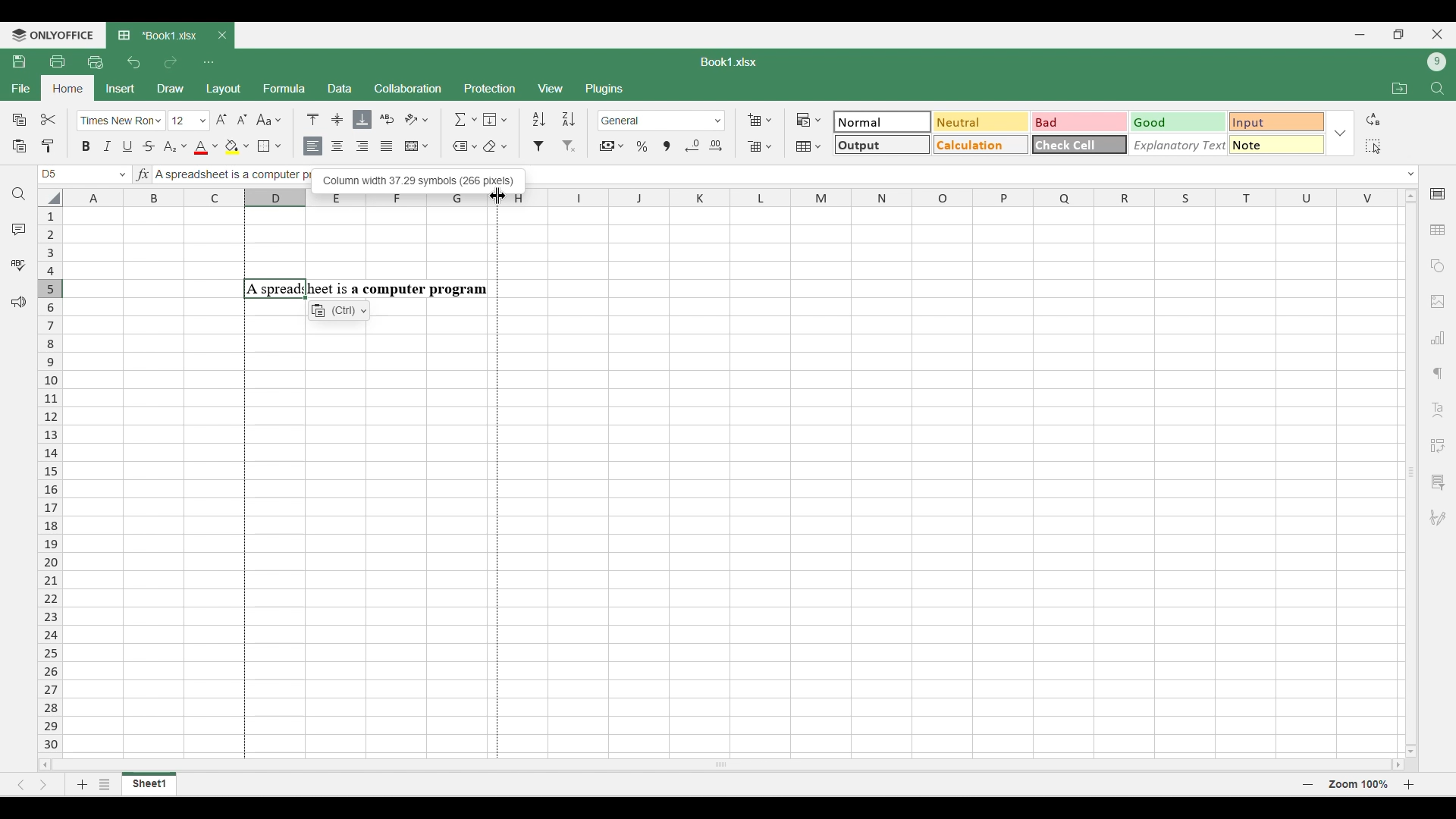 The width and height of the screenshot is (1456, 819). I want to click on Change cell, so click(123, 174).